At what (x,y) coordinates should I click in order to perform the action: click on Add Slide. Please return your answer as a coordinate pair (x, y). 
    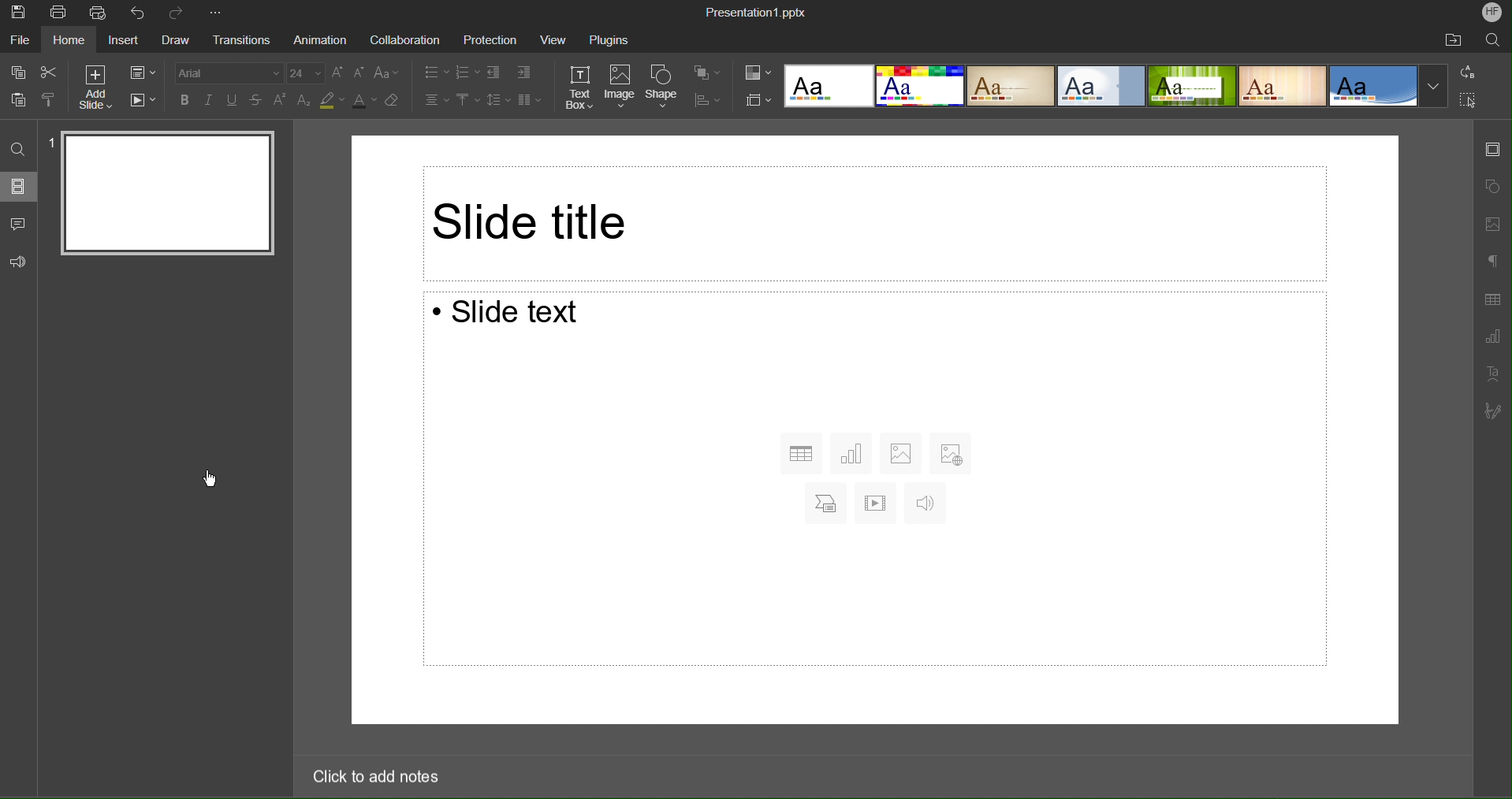
    Looking at the image, I should click on (98, 85).